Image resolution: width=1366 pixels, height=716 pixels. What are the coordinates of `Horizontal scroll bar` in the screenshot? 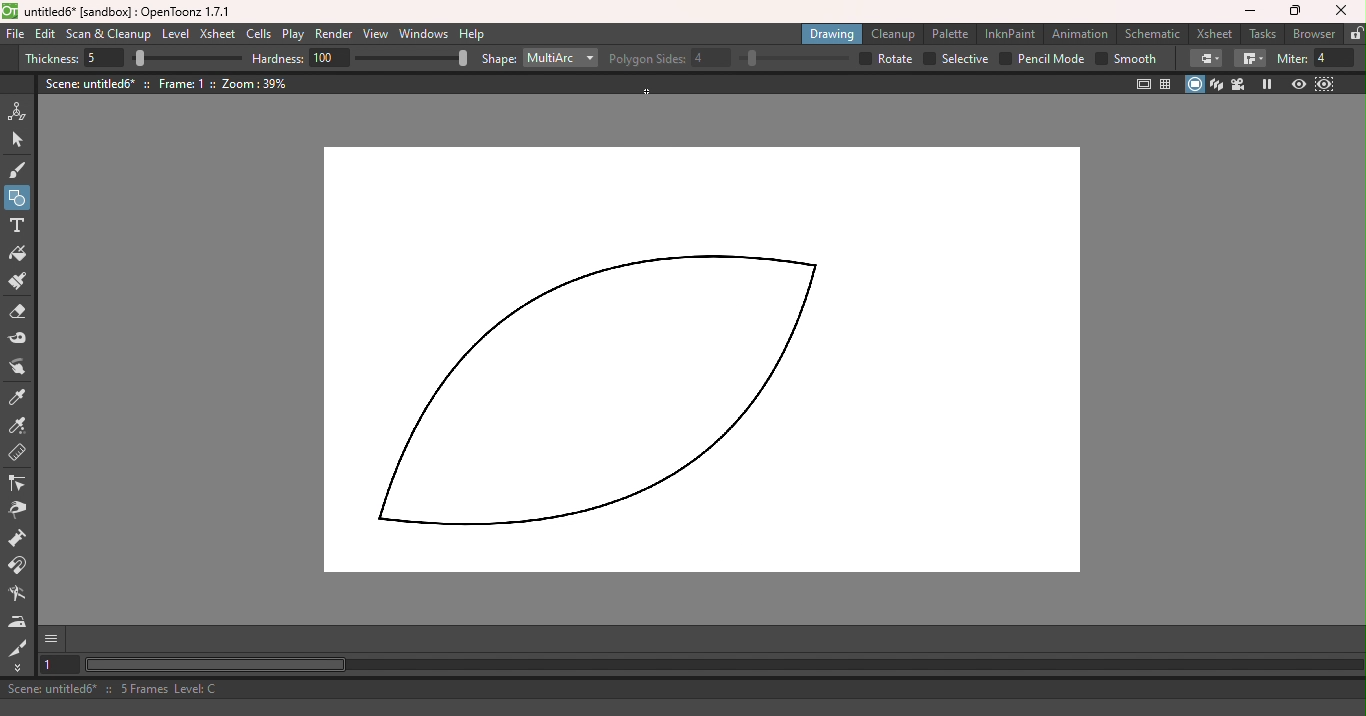 It's located at (723, 665).